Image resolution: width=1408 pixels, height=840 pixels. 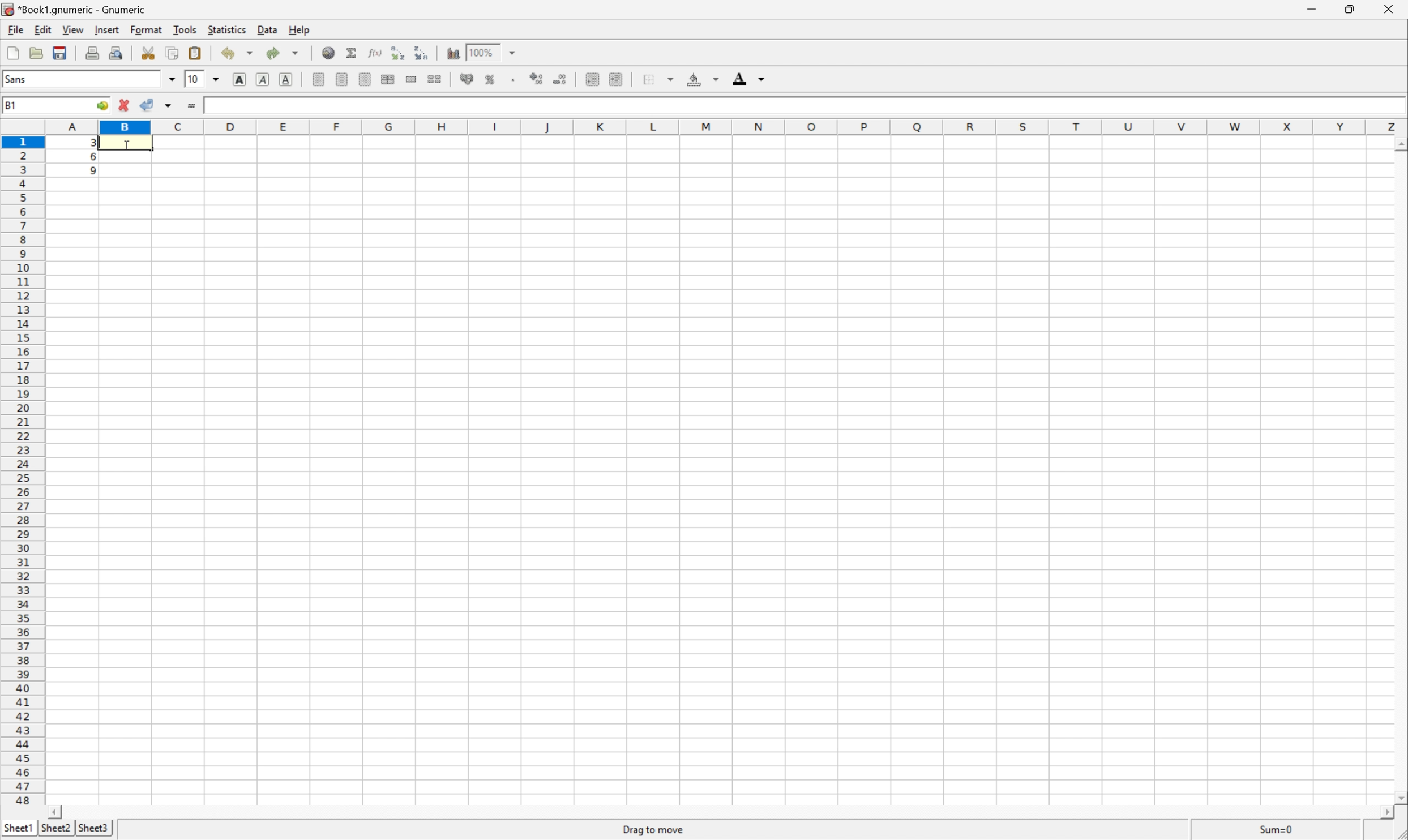 What do you see at coordinates (1278, 829) in the screenshot?
I see `Sum=0` at bounding box center [1278, 829].